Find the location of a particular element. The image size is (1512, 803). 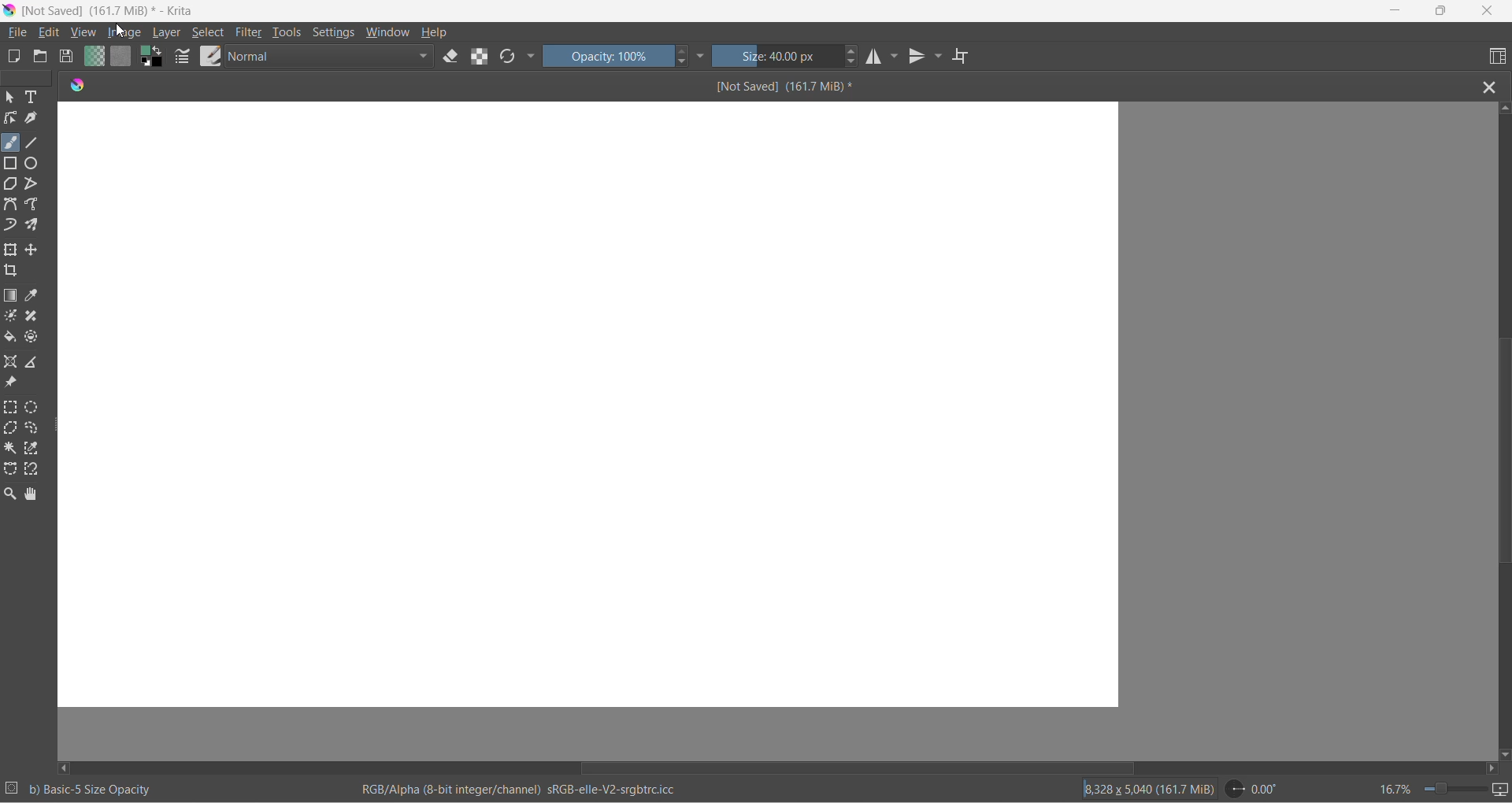

select shape tool is located at coordinates (10, 98).